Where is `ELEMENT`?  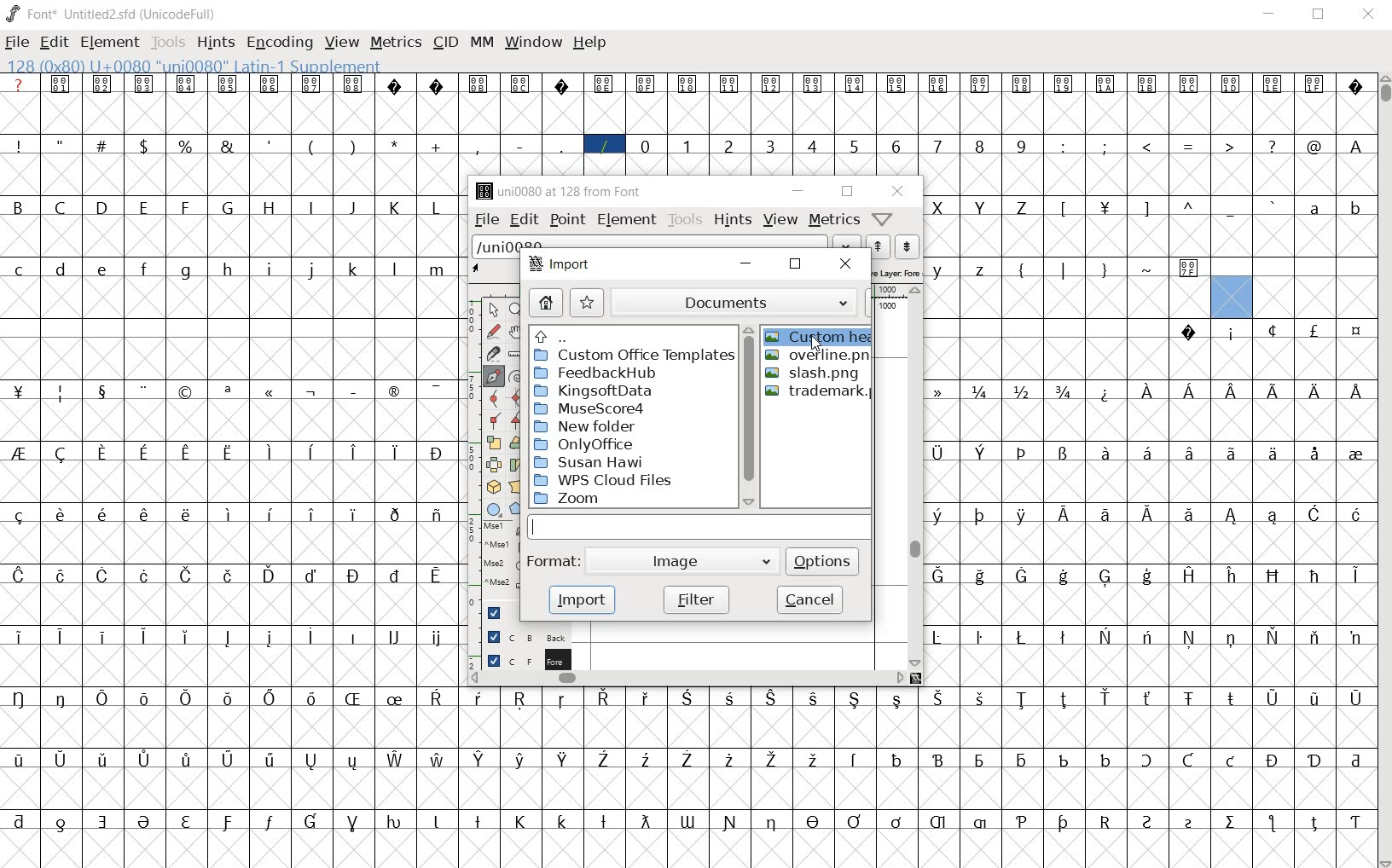
ELEMENT is located at coordinates (111, 43).